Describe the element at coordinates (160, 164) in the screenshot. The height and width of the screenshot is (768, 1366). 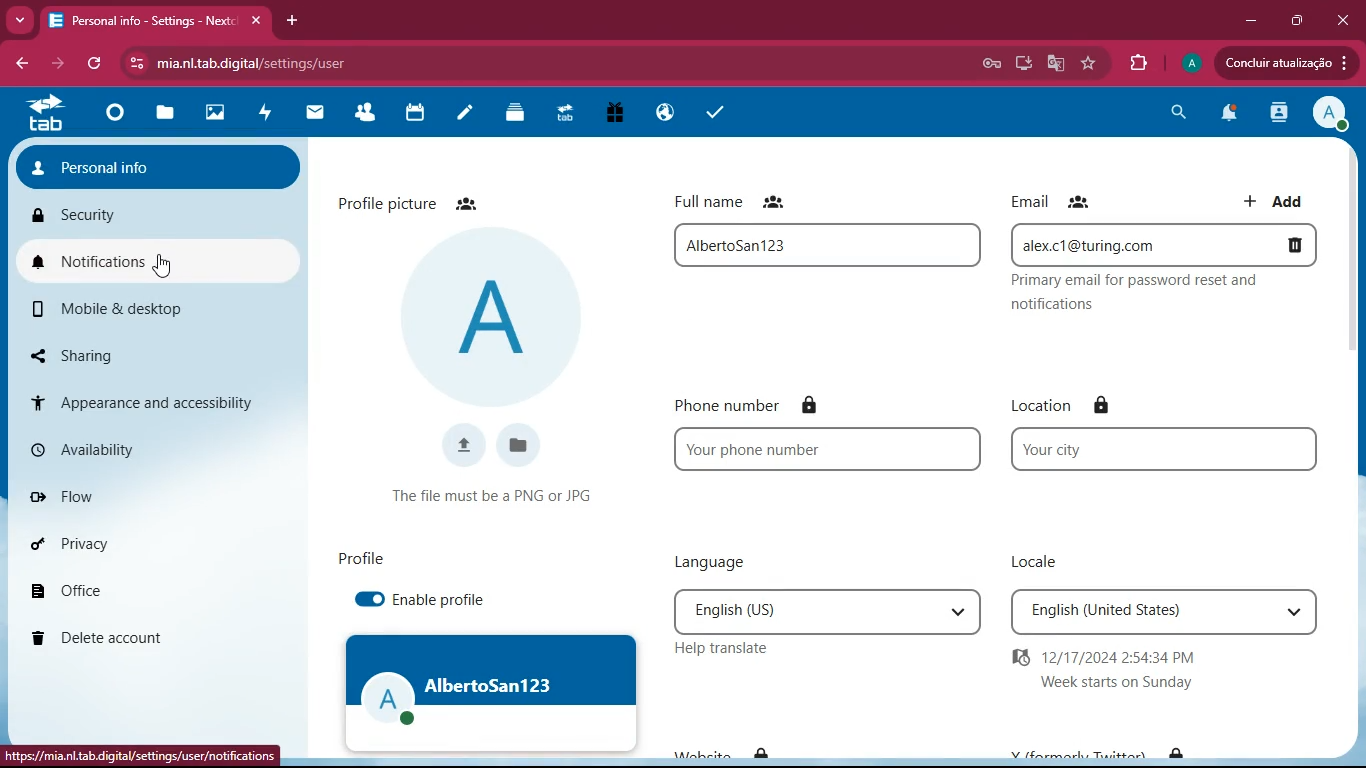
I see `profile` at that location.